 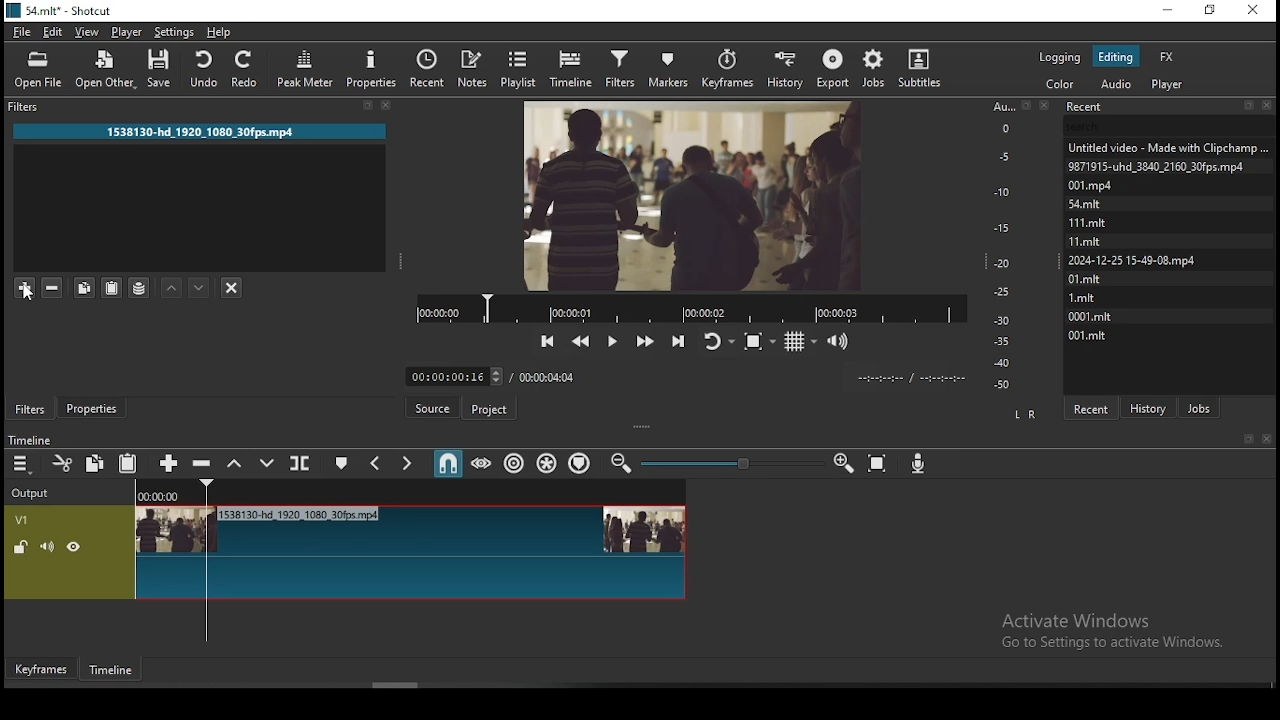 I want to click on scale, so click(x=1006, y=245).